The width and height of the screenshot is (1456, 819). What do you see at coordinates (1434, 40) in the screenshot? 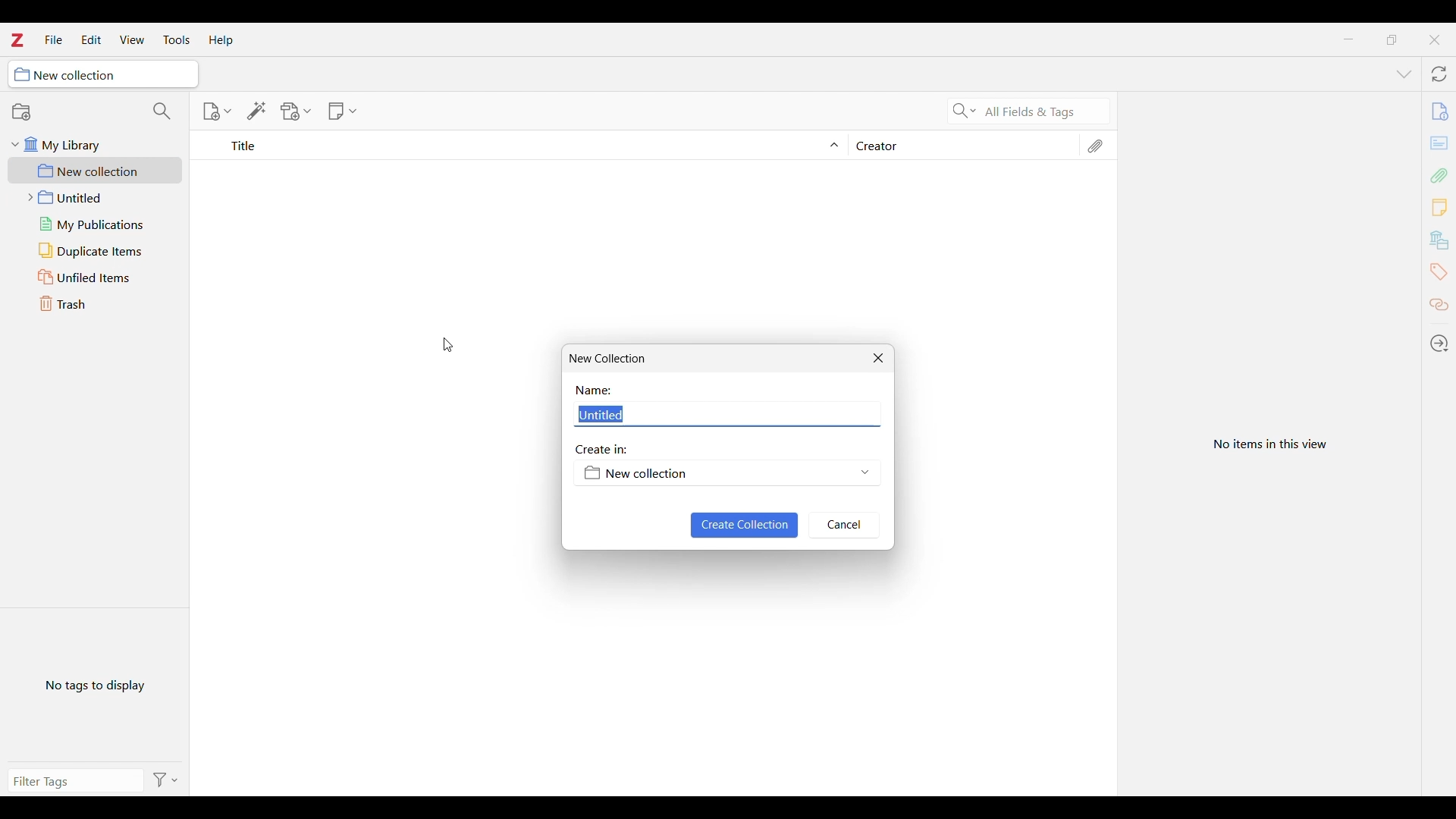
I see `Close interface` at bounding box center [1434, 40].